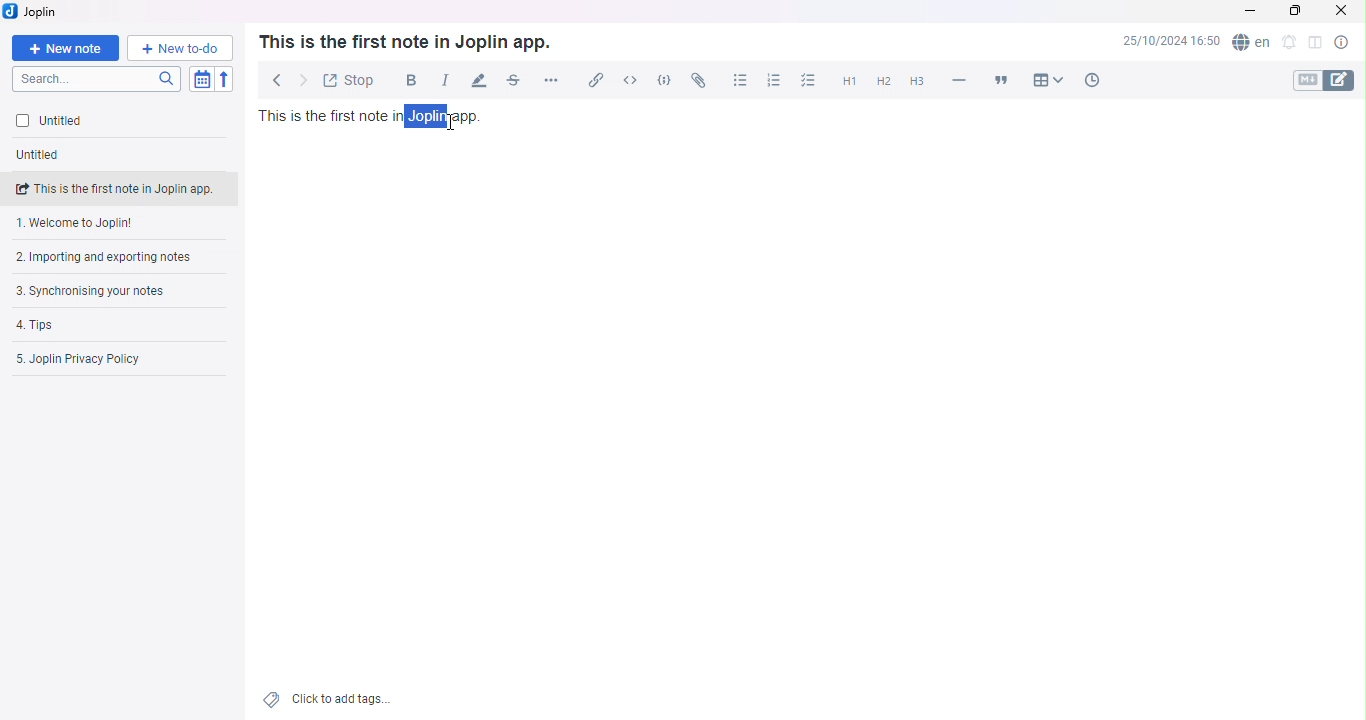  What do you see at coordinates (109, 359) in the screenshot?
I see `Joplin privacy policy` at bounding box center [109, 359].